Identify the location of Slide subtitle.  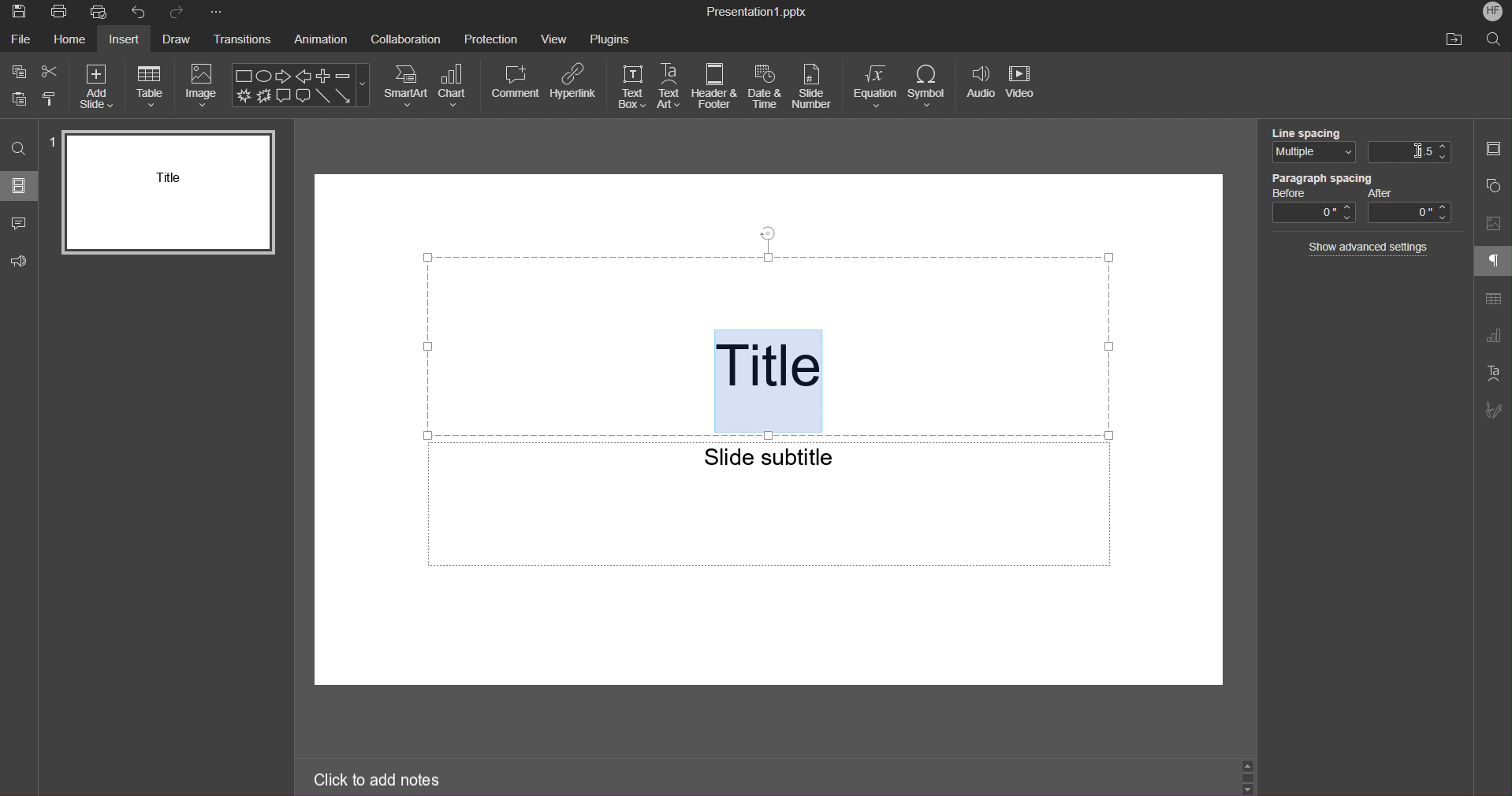
(771, 454).